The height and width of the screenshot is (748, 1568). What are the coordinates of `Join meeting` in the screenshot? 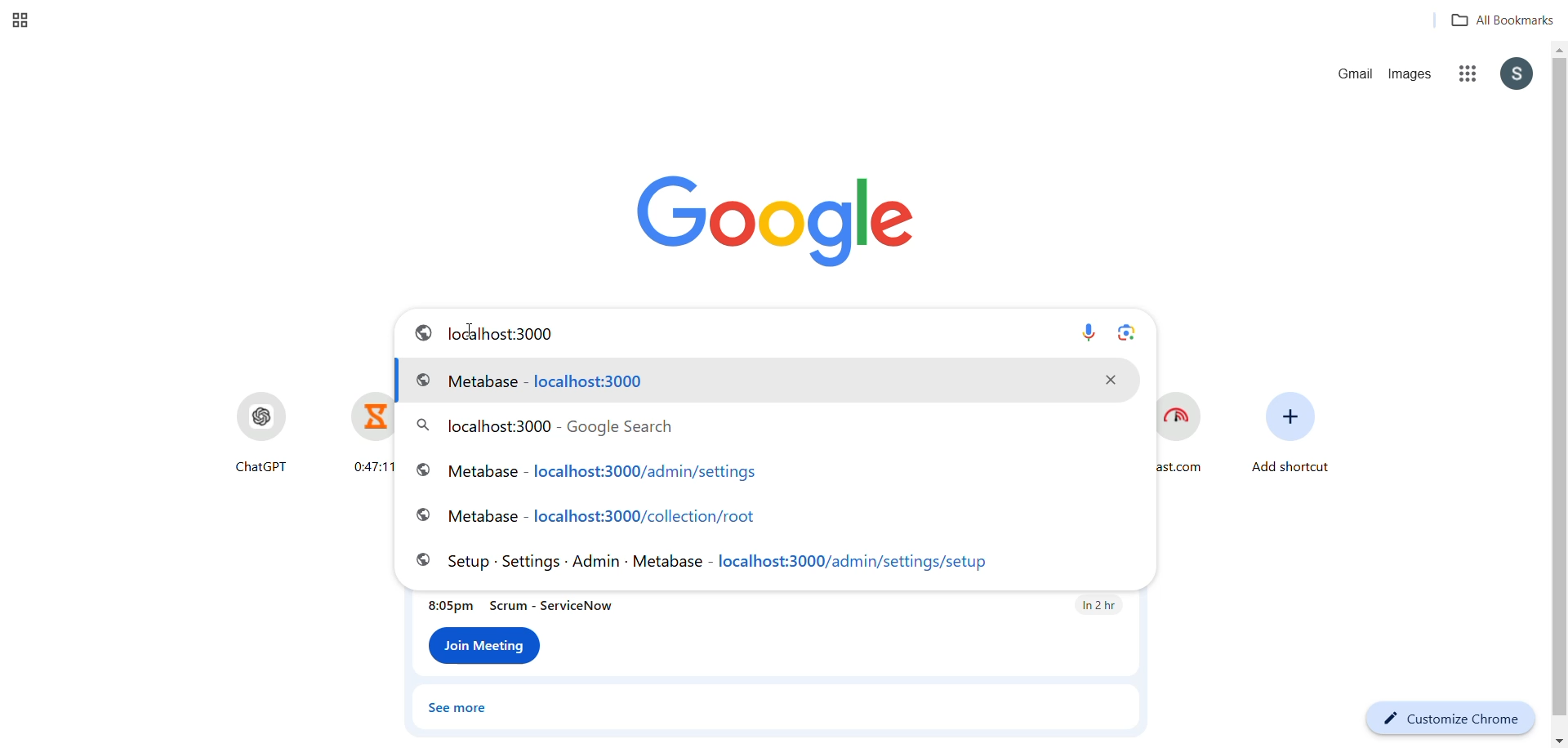 It's located at (487, 647).